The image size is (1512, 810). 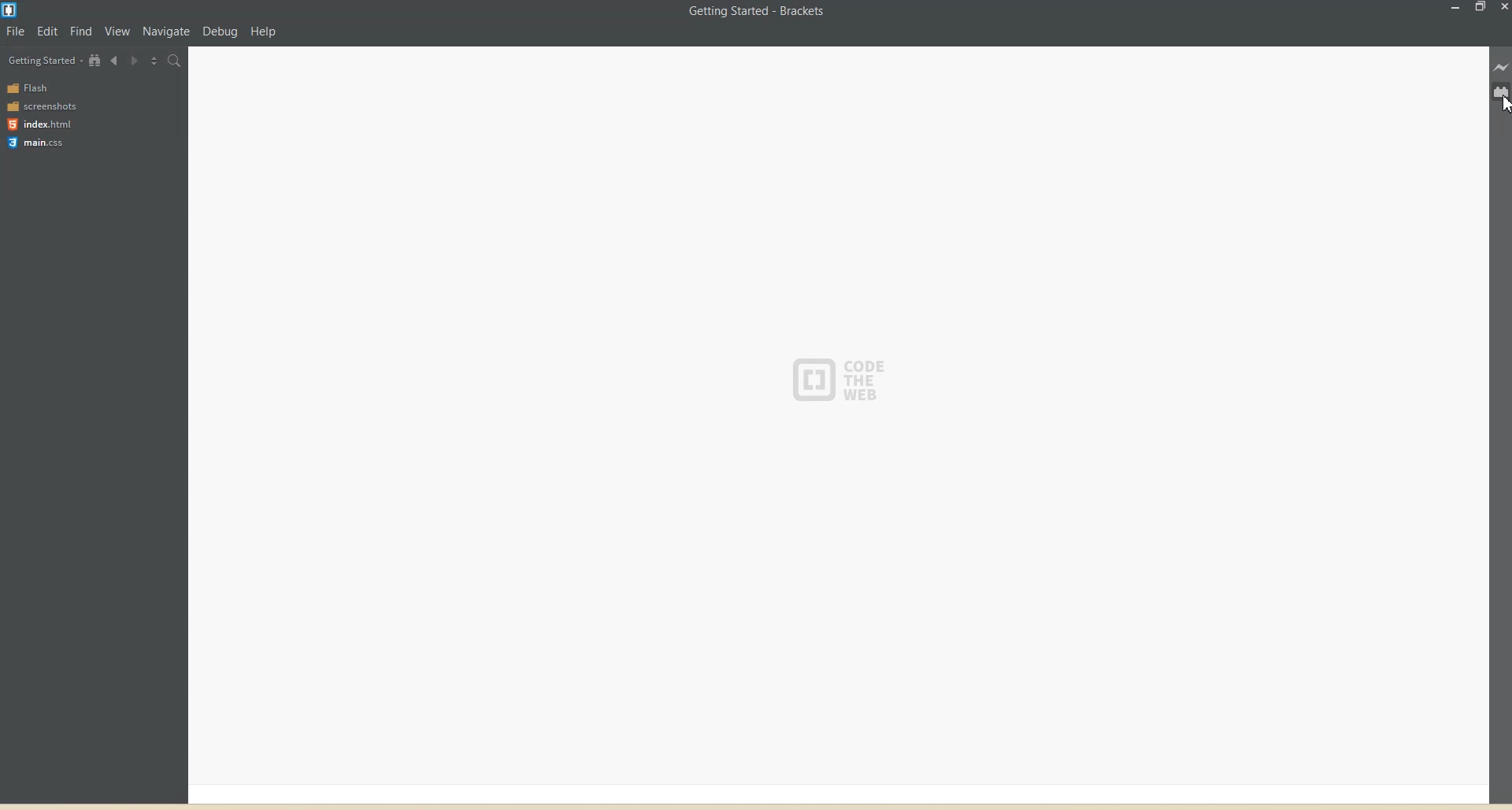 I want to click on Find, so click(x=82, y=31).